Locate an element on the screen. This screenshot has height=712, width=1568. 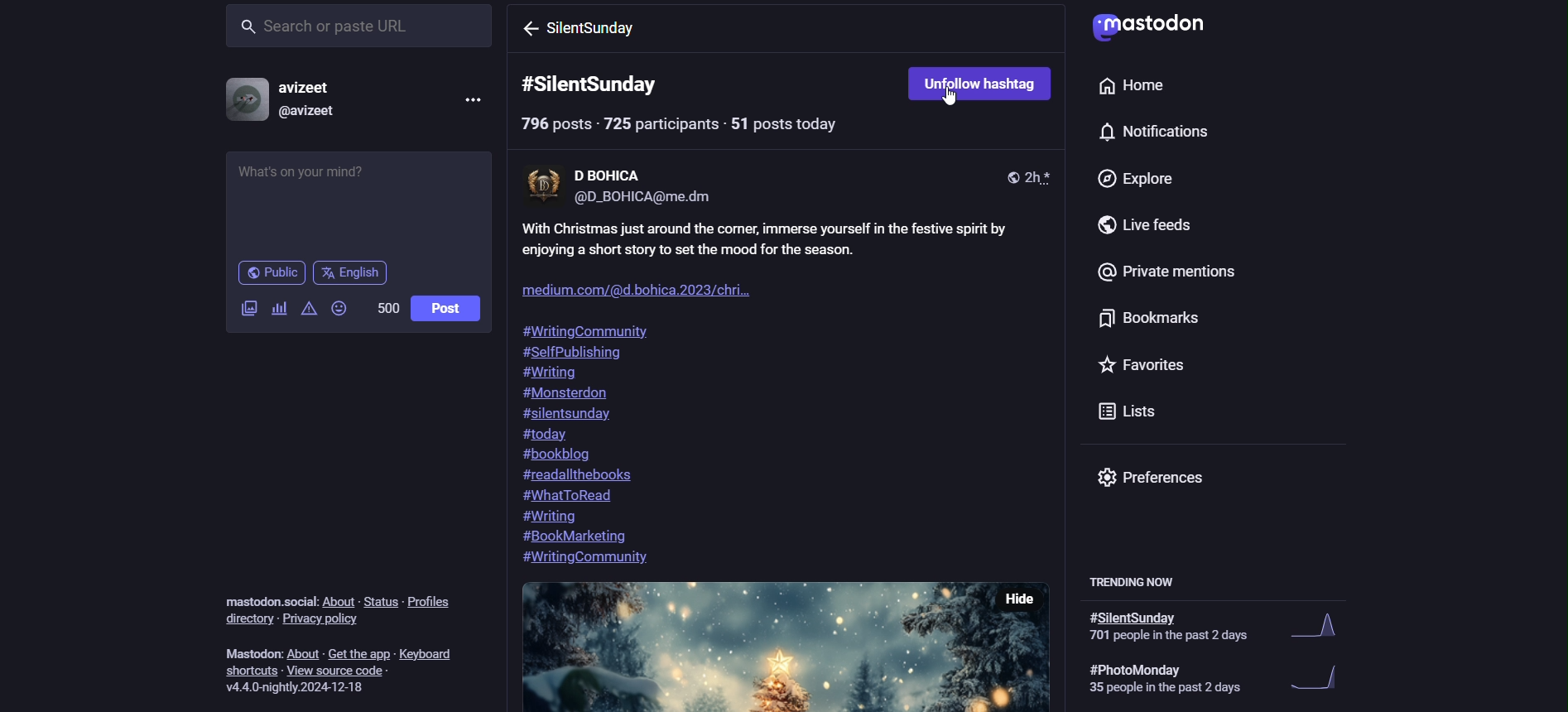
500 is located at coordinates (381, 309).